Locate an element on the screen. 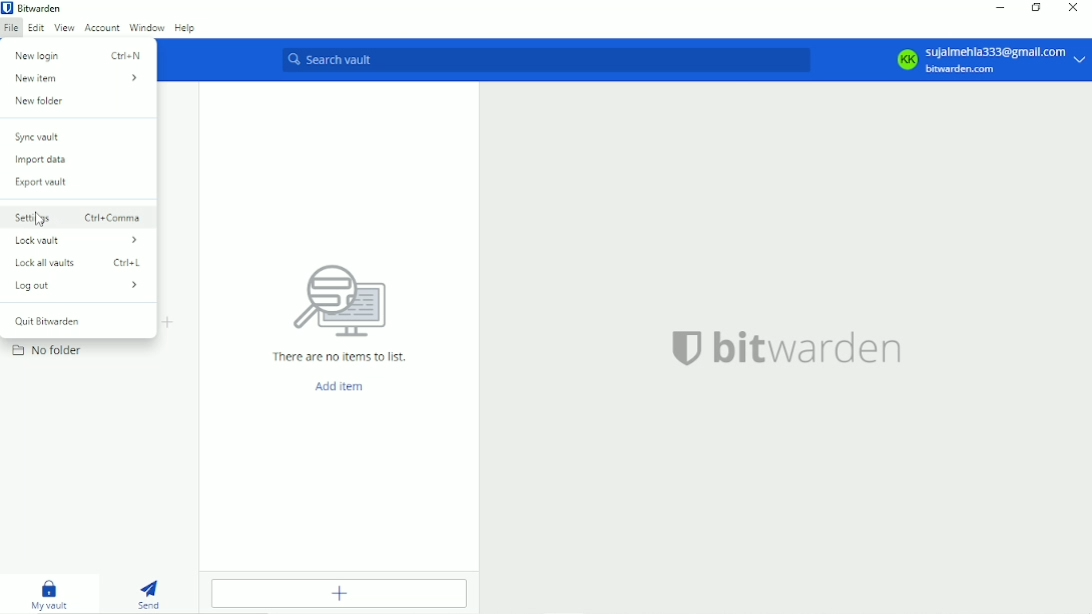 The width and height of the screenshot is (1092, 614). Account is located at coordinates (102, 26).